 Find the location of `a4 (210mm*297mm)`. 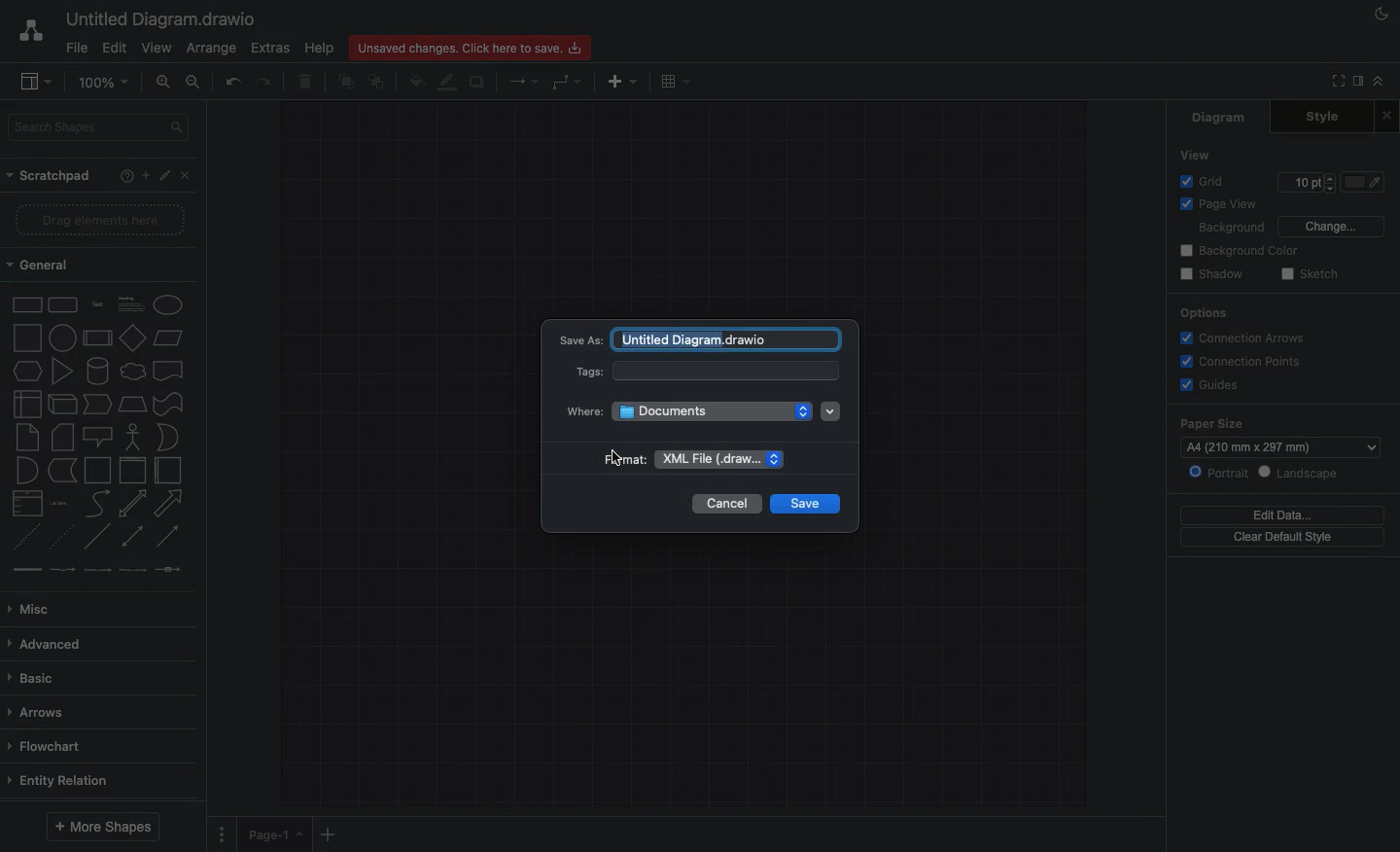

a4 (210mm*297mm) is located at coordinates (1253, 445).